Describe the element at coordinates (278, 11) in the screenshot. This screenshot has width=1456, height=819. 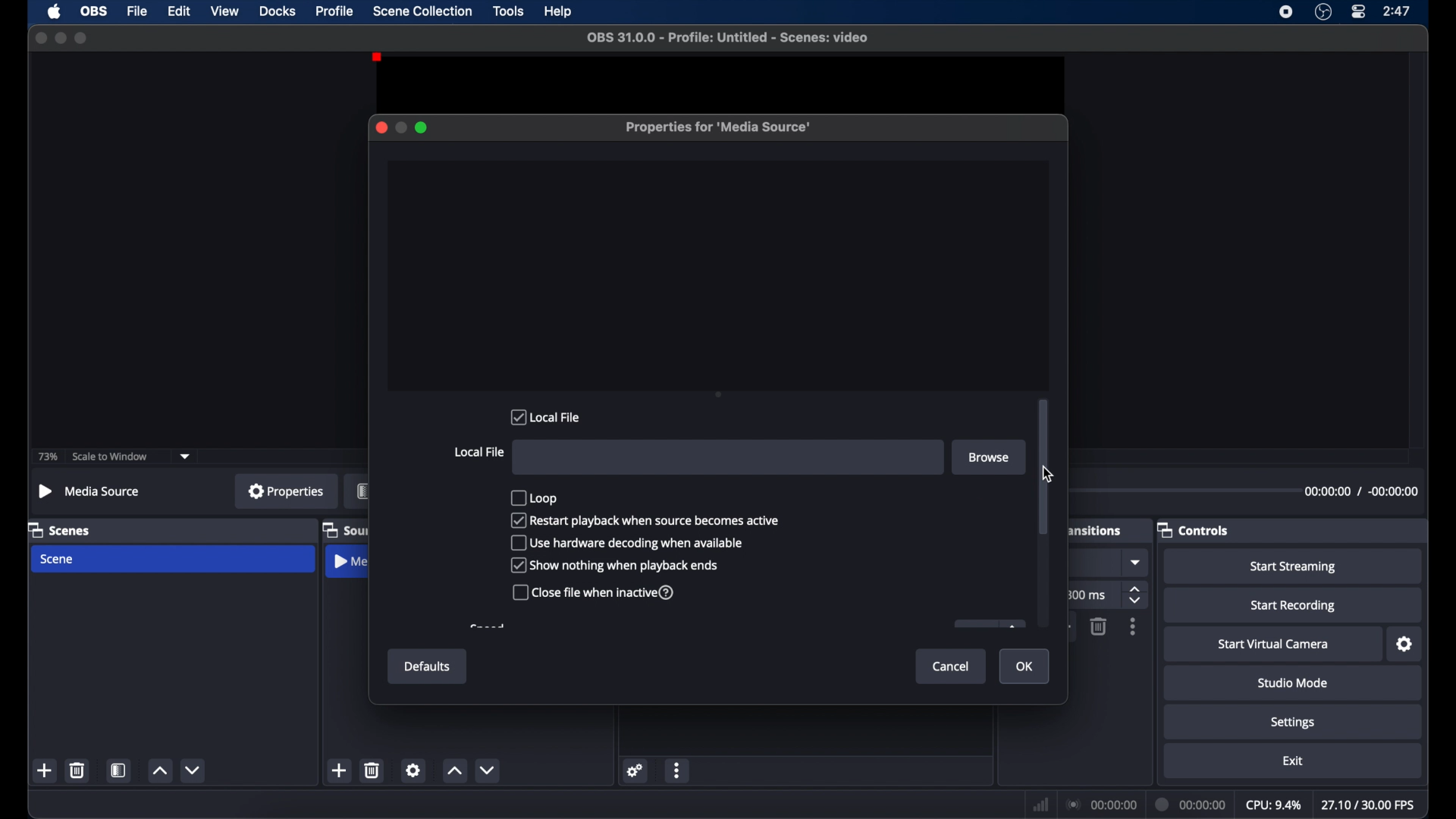
I see `docks` at that location.